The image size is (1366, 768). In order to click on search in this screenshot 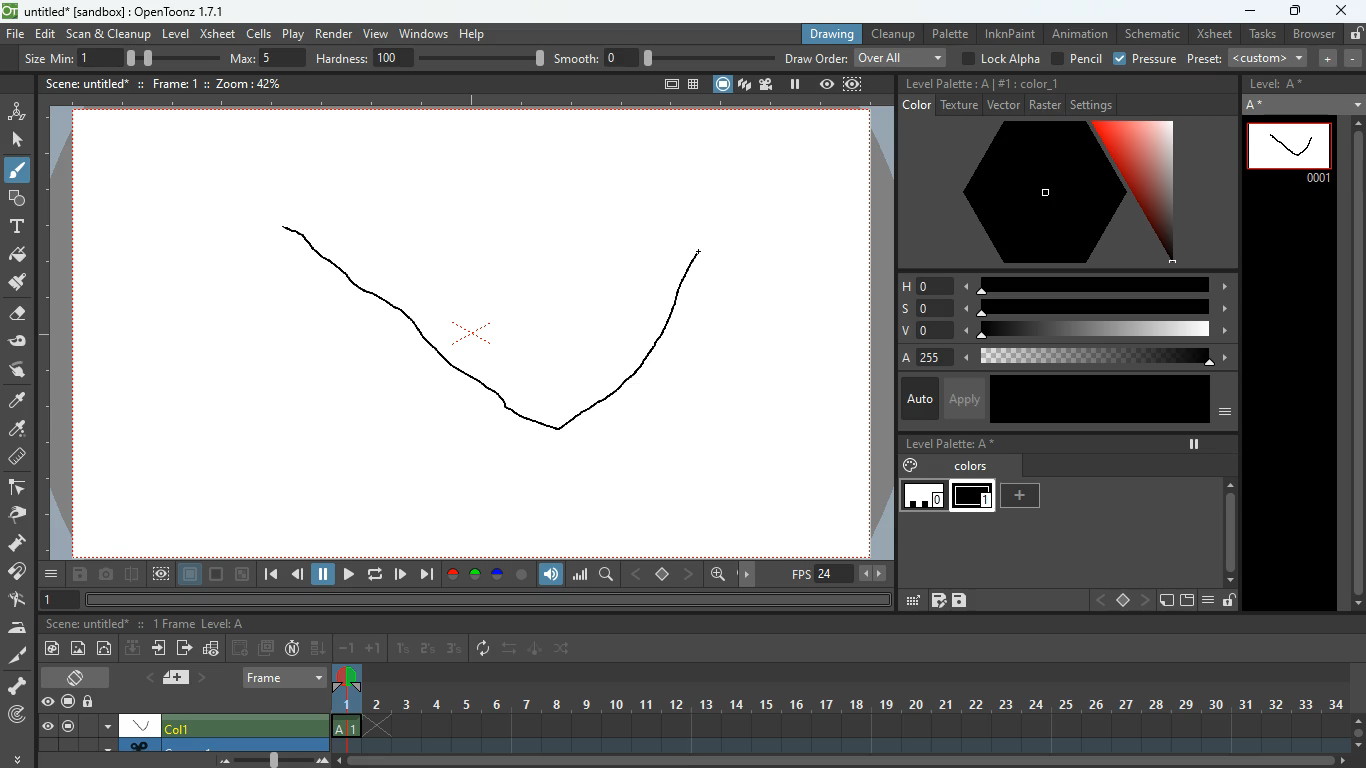, I will do `click(608, 577)`.